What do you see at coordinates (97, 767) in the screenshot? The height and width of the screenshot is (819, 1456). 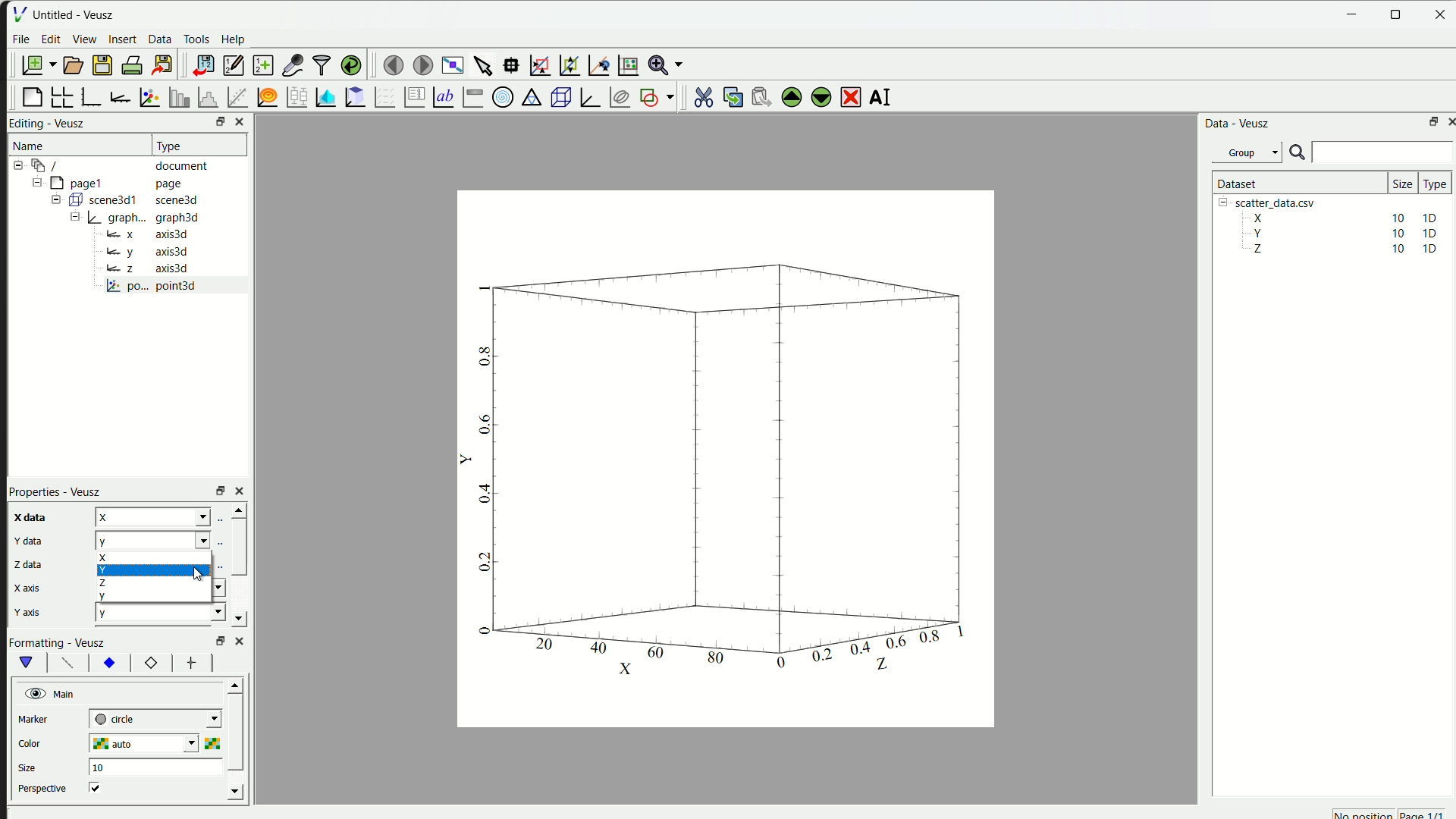 I see `10` at bounding box center [97, 767].